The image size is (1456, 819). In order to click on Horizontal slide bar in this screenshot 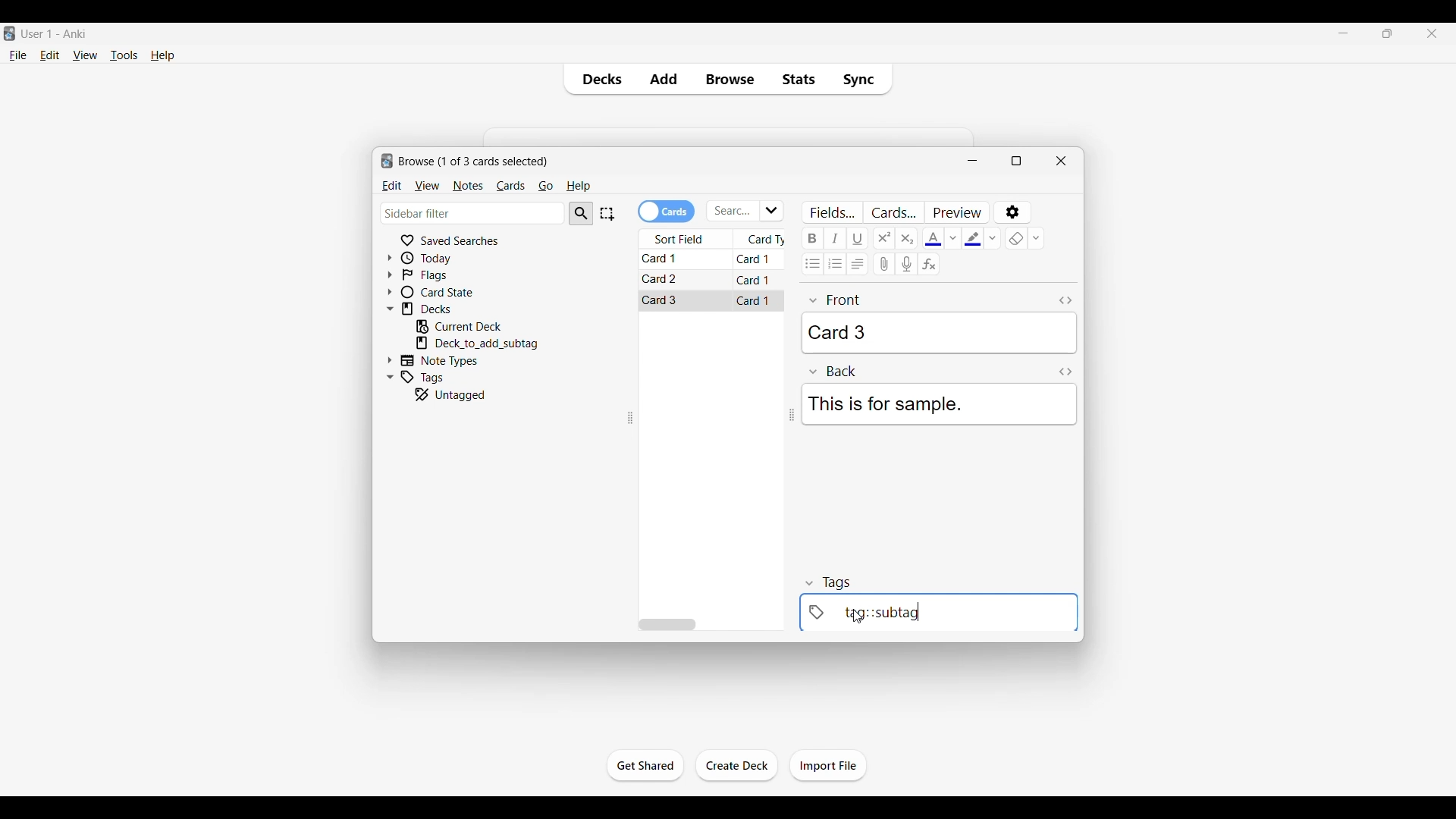, I will do `click(667, 625)`.